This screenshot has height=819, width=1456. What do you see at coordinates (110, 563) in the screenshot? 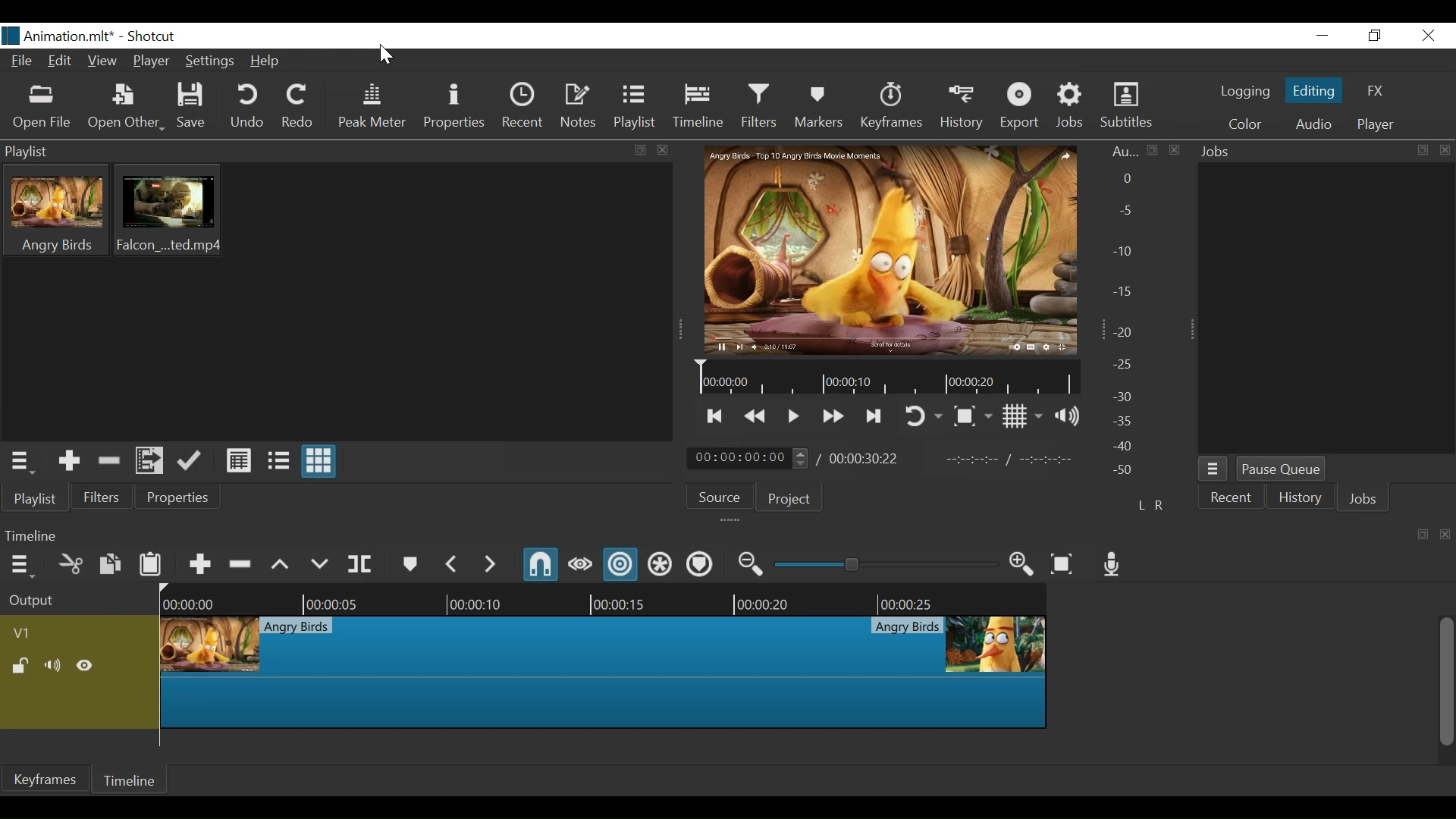
I see `Copy` at bounding box center [110, 563].